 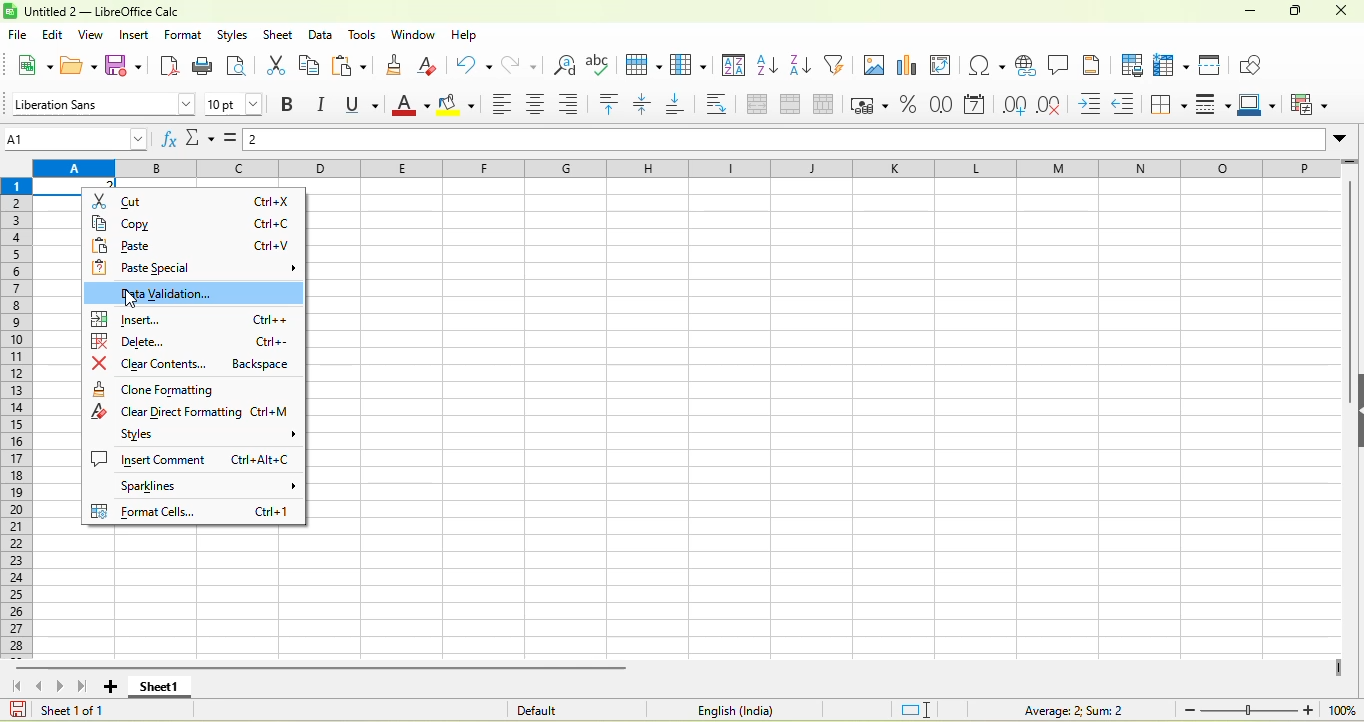 I want to click on selected cell, so click(x=78, y=186).